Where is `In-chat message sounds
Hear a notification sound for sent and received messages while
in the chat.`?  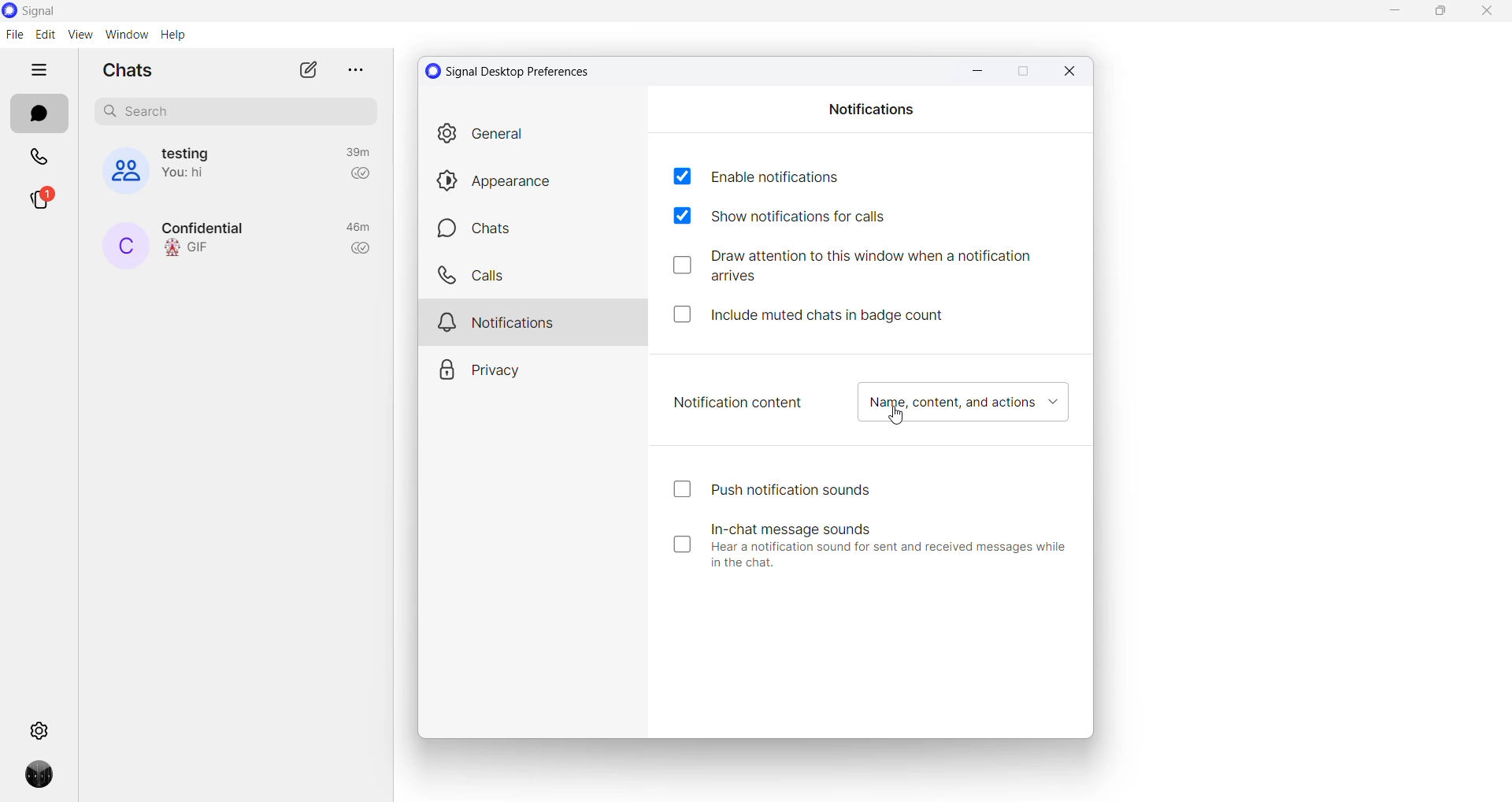
In-chat message sounds
Hear a notification sound for sent and received messages while
in the chat. is located at coordinates (873, 544).